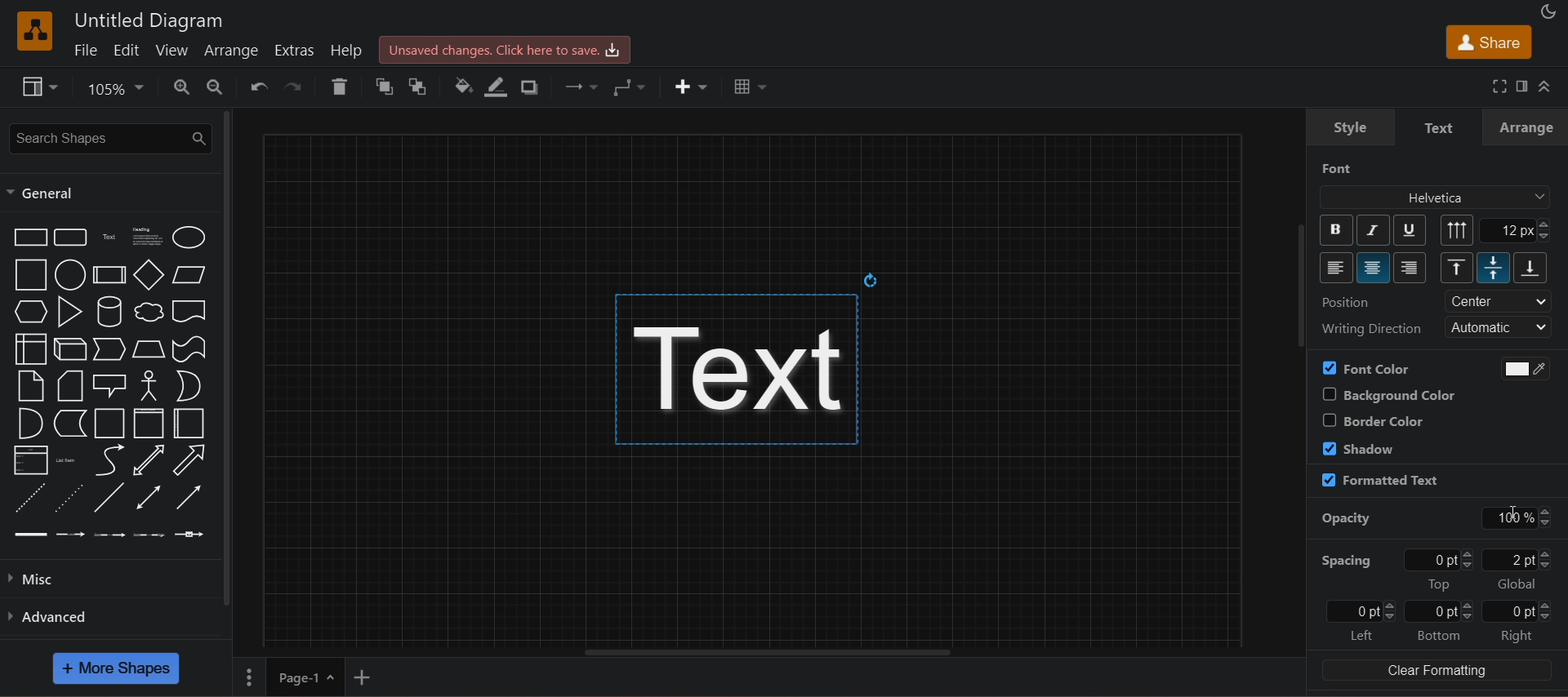  Describe the element at coordinates (1371, 230) in the screenshot. I see `italic` at that location.